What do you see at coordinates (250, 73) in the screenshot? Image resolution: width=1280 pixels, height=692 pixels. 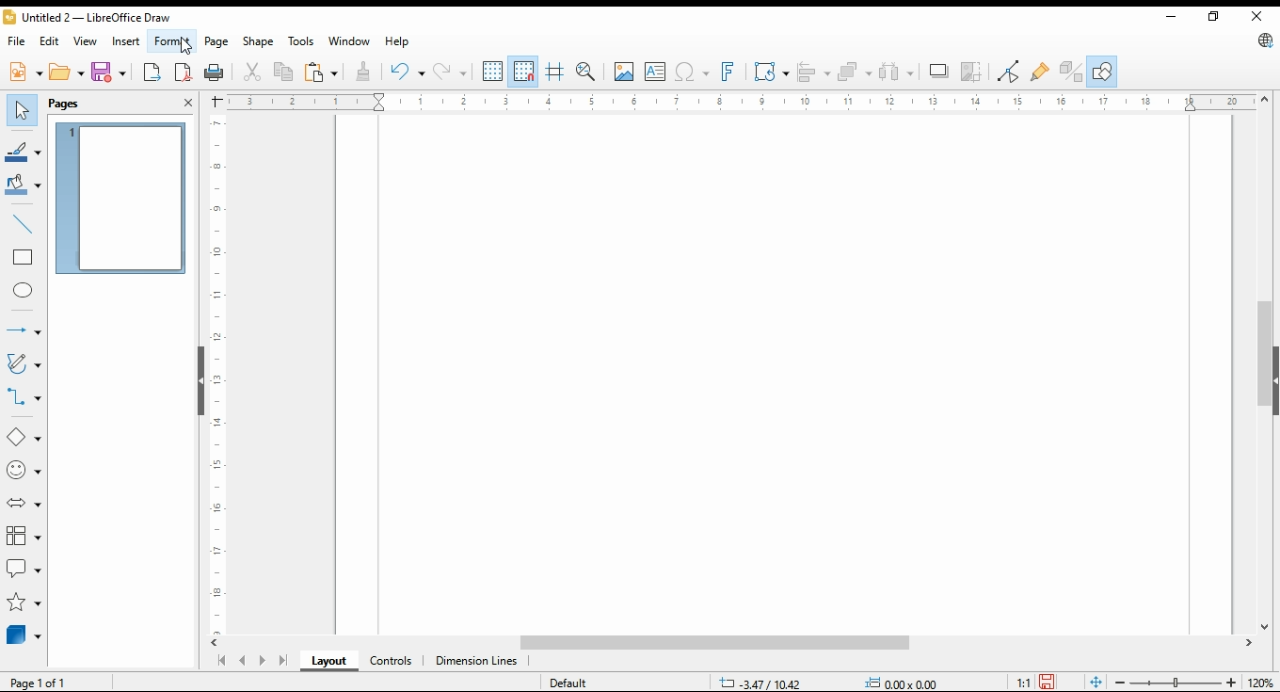 I see `cut` at bounding box center [250, 73].